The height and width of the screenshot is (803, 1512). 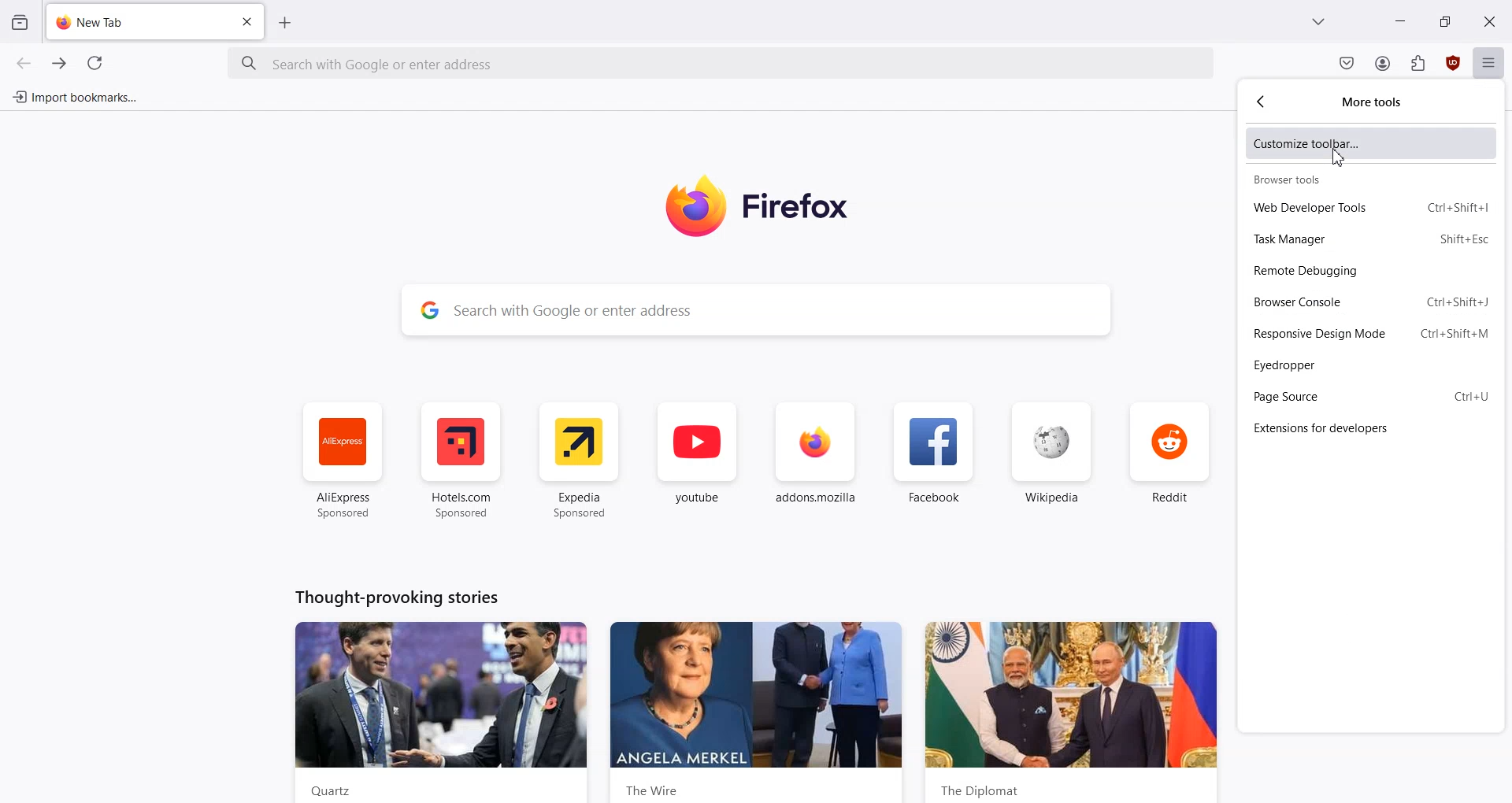 I want to click on Eyedropper, so click(x=1312, y=365).